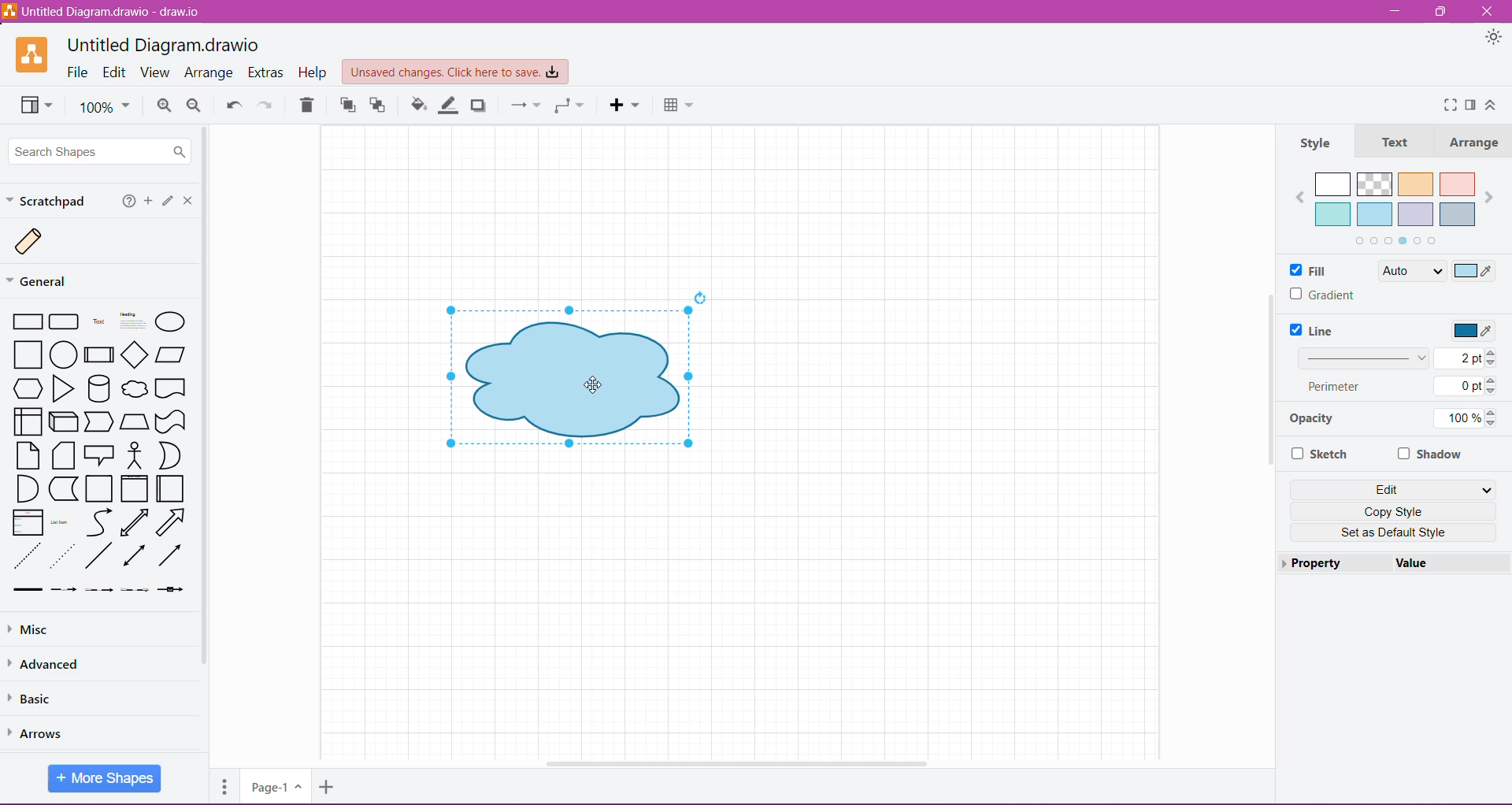 This screenshot has height=805, width=1512. Describe the element at coordinates (269, 106) in the screenshot. I see `Redo` at that location.